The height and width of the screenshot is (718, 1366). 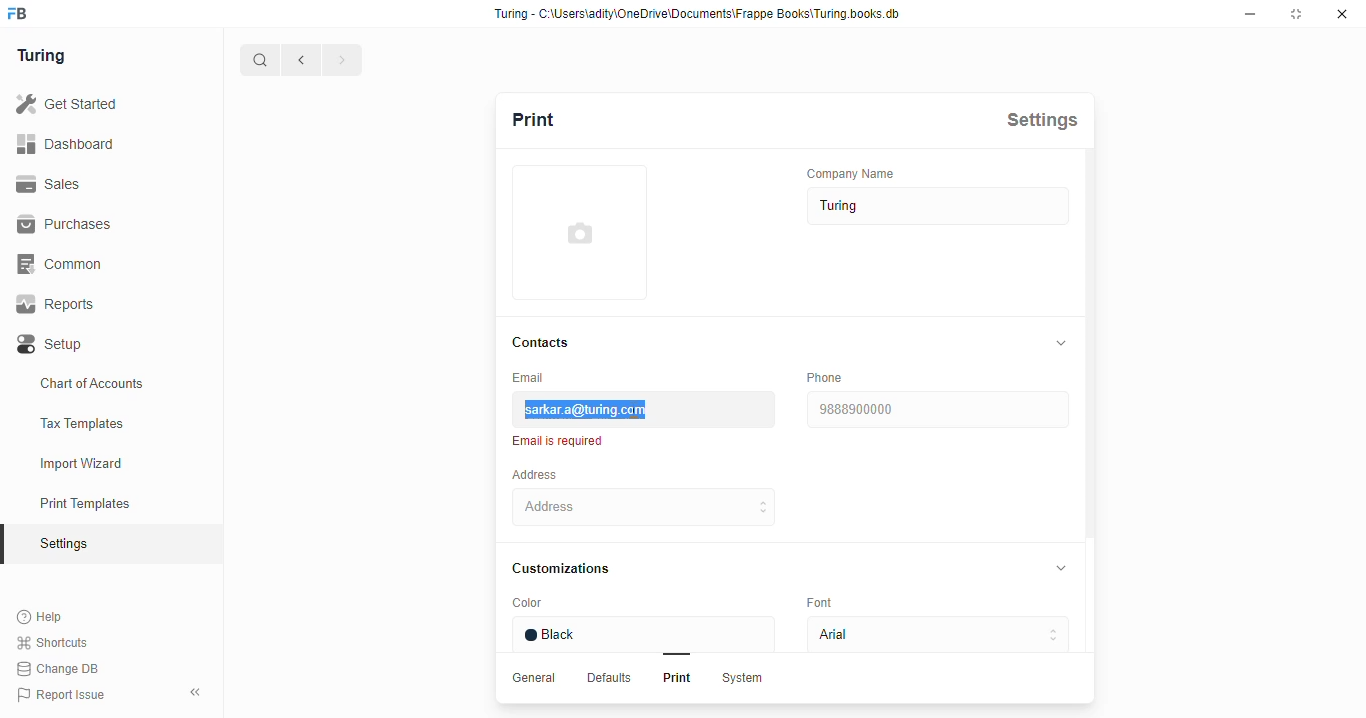 What do you see at coordinates (548, 474) in the screenshot?
I see `‘Address` at bounding box center [548, 474].